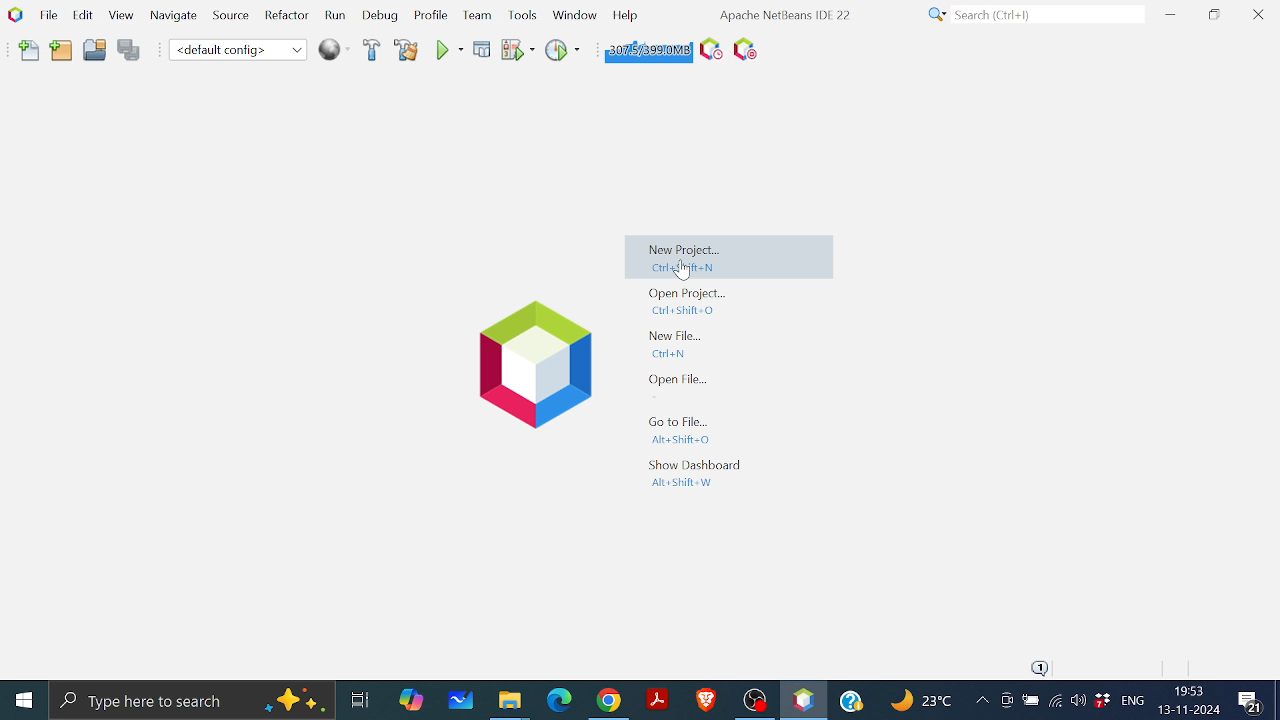 Image resolution: width=1280 pixels, height=720 pixels. What do you see at coordinates (625, 14) in the screenshot?
I see `Help` at bounding box center [625, 14].